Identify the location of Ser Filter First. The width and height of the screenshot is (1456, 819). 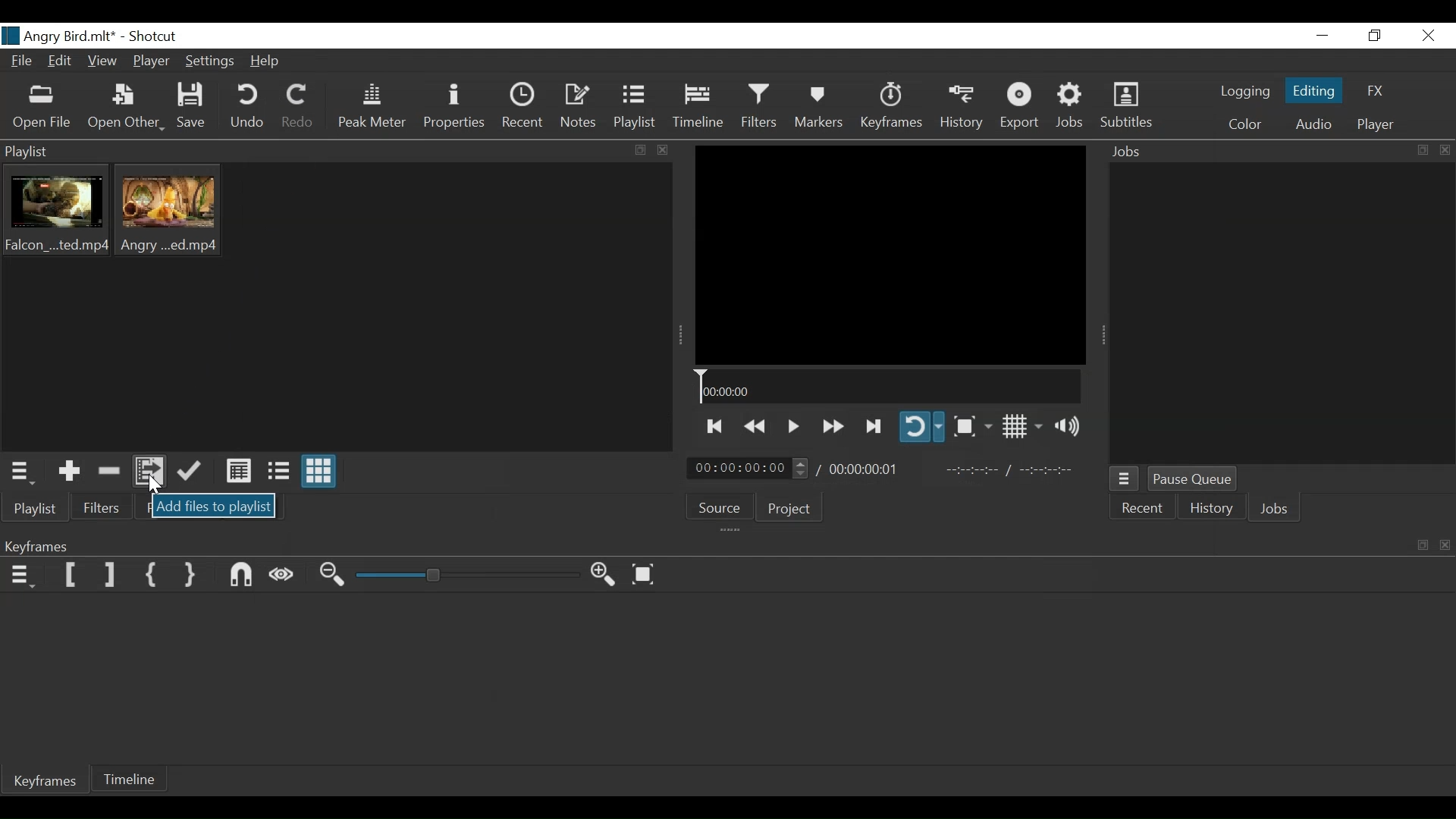
(71, 575).